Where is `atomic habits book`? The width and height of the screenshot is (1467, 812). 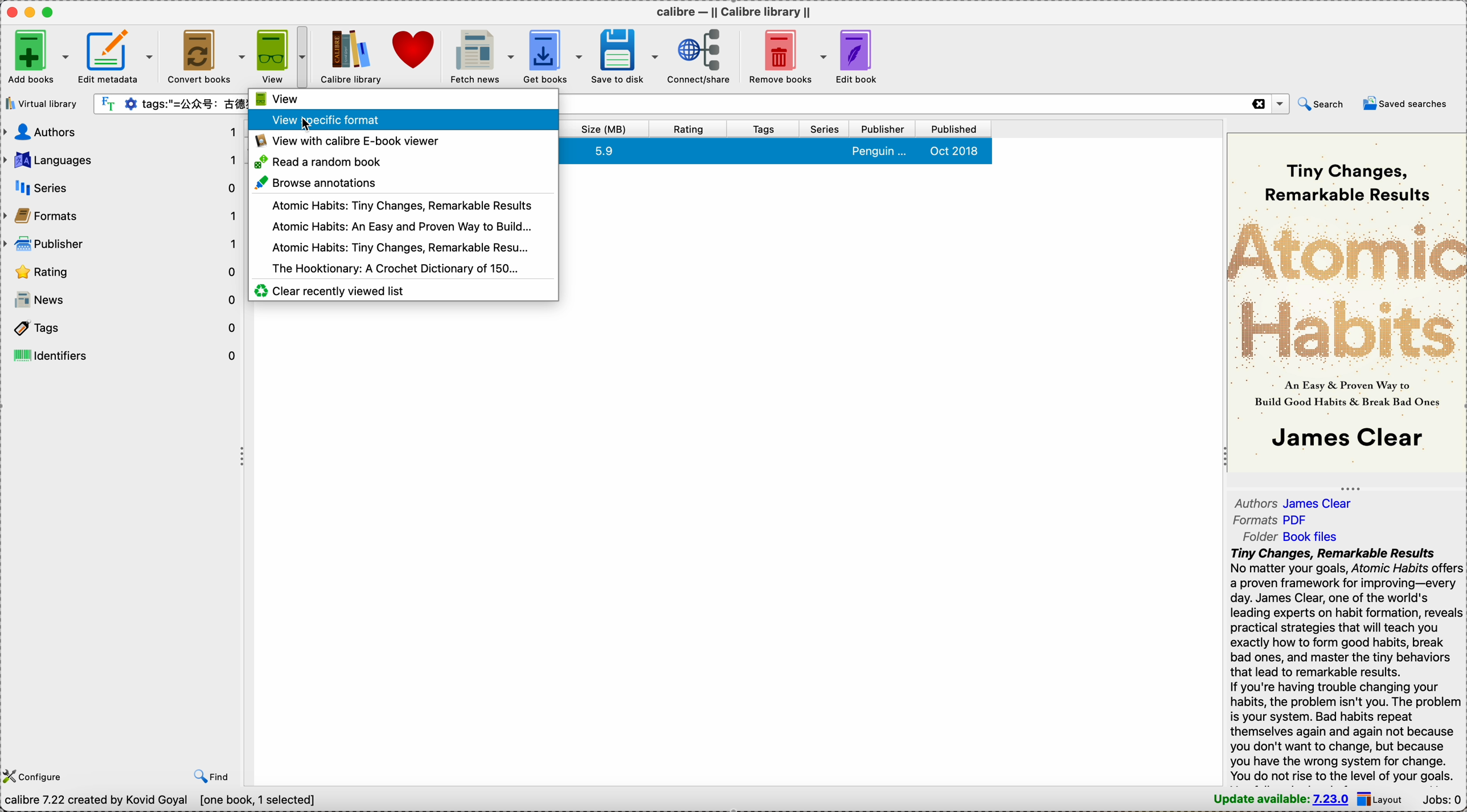 atomic habits book is located at coordinates (401, 224).